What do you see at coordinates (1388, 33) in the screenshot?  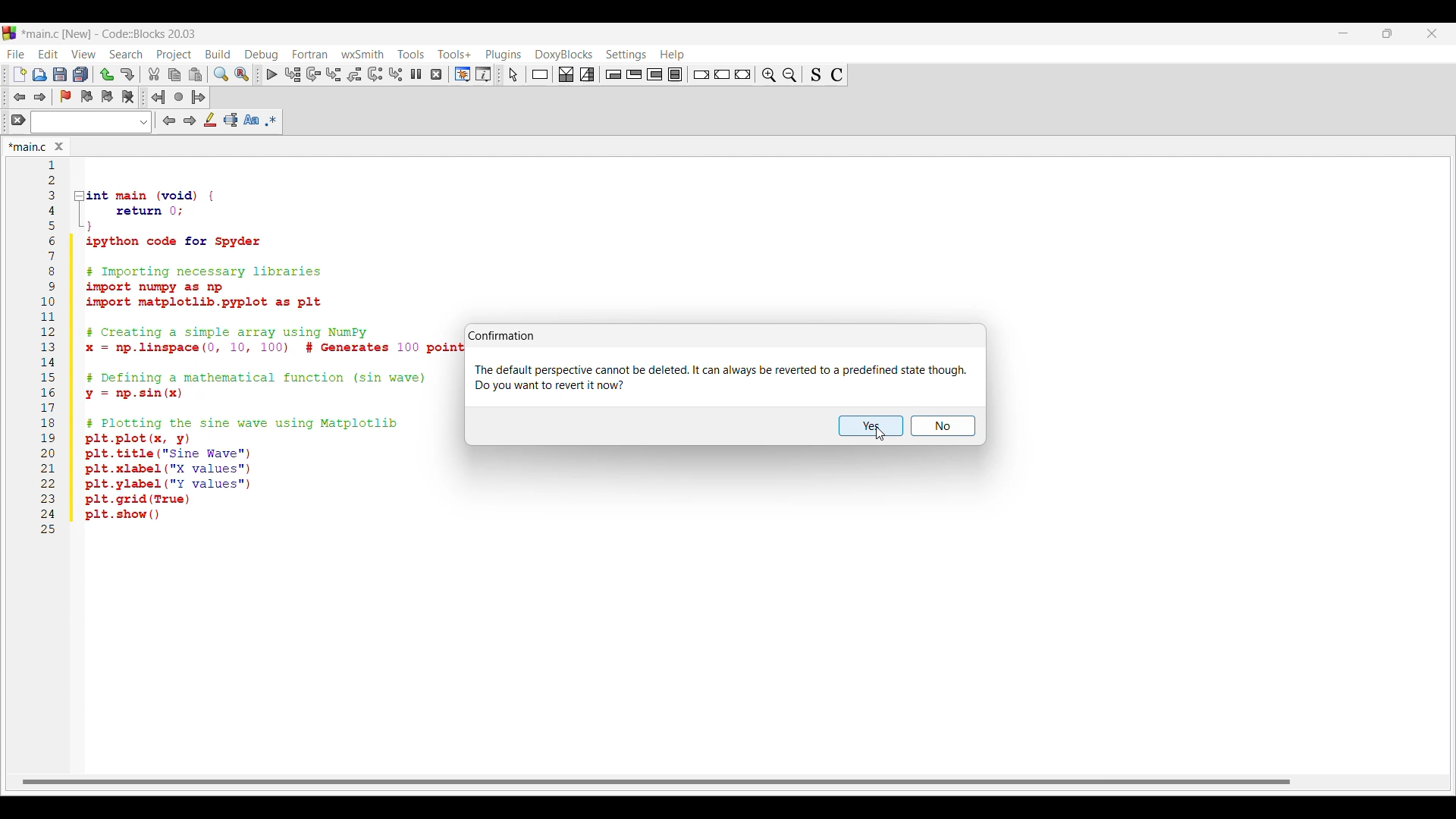 I see `Show in a smaller tab` at bounding box center [1388, 33].